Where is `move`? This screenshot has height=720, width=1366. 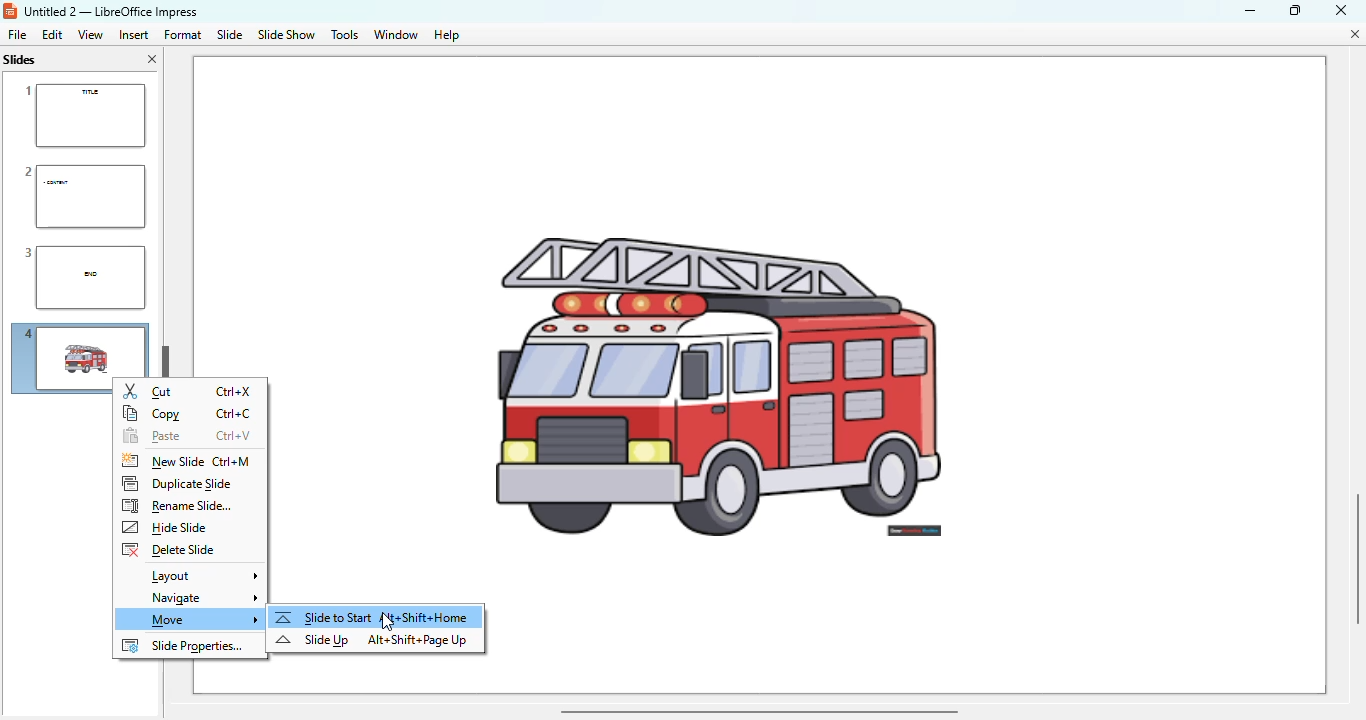
move is located at coordinates (196, 620).